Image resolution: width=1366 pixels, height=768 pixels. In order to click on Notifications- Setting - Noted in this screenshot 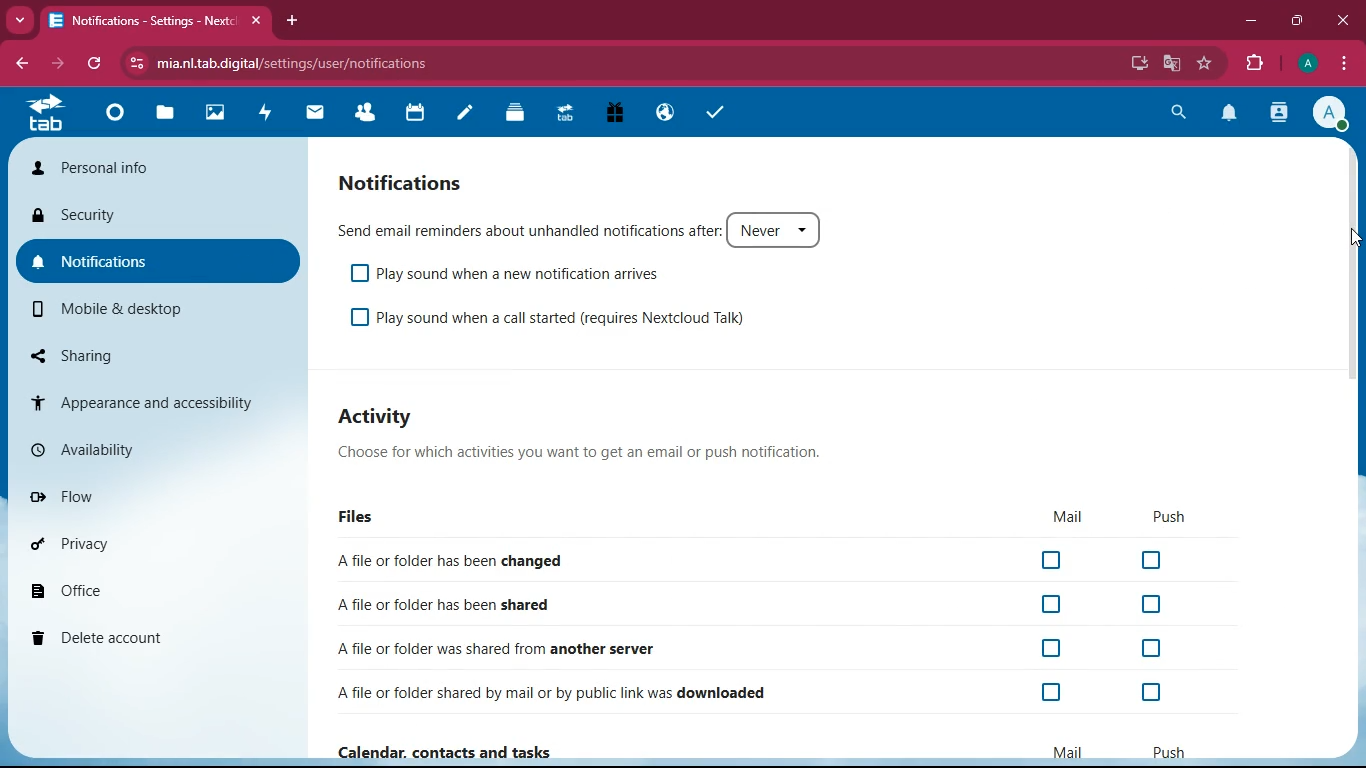, I will do `click(145, 22)`.